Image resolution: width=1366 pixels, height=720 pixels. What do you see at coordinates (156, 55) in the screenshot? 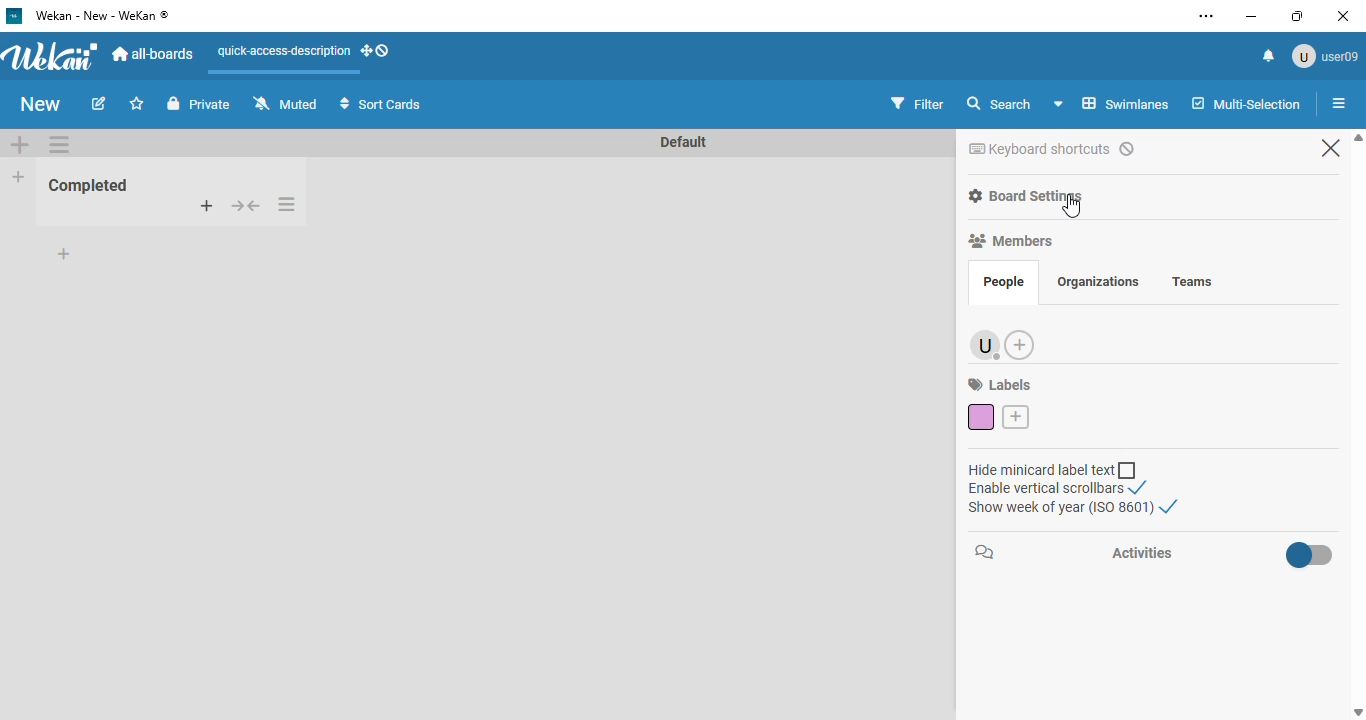
I see `all-boards` at bounding box center [156, 55].